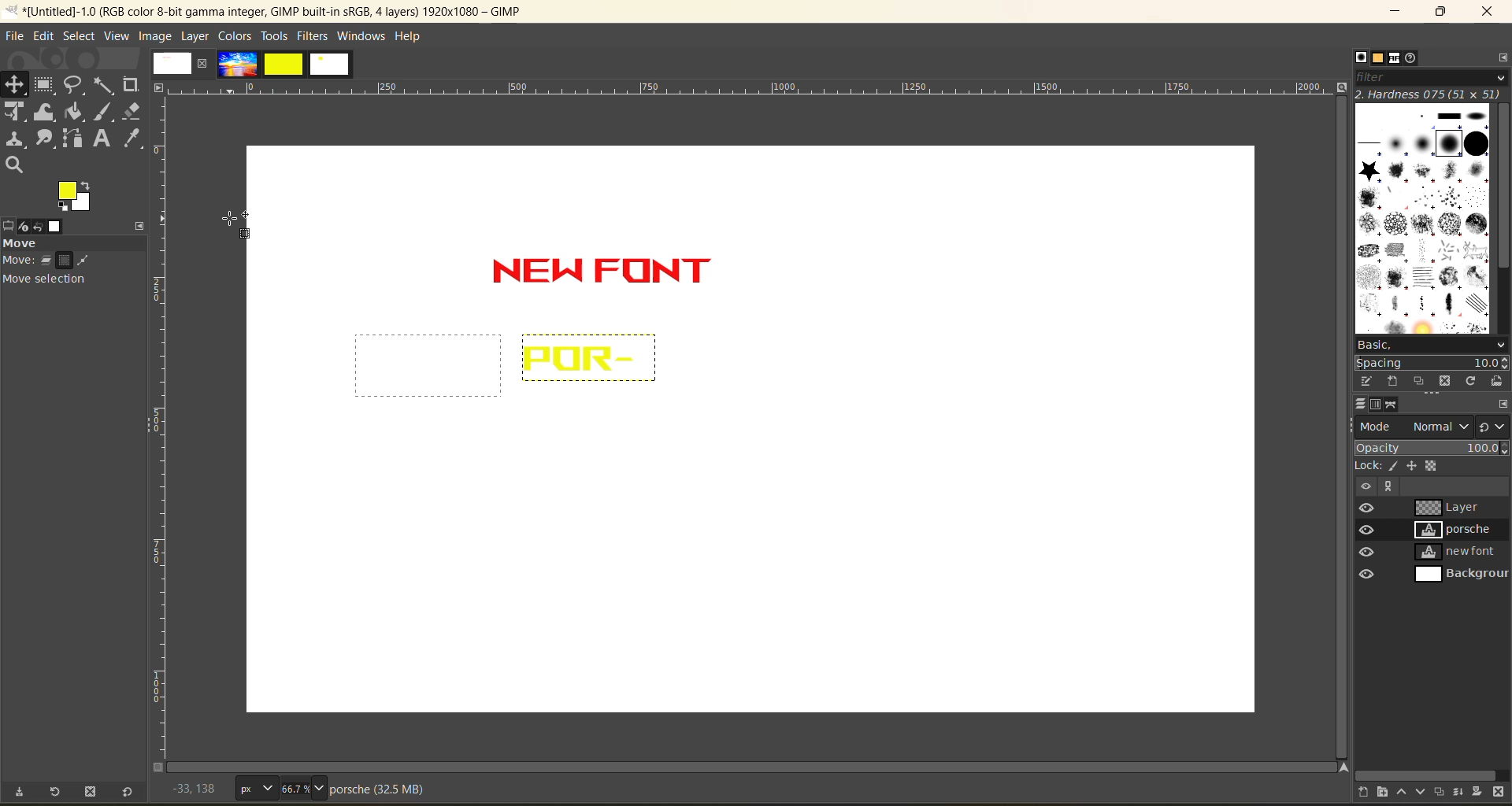  What do you see at coordinates (669, 763) in the screenshot?
I see `Horizontal scroll bar` at bounding box center [669, 763].